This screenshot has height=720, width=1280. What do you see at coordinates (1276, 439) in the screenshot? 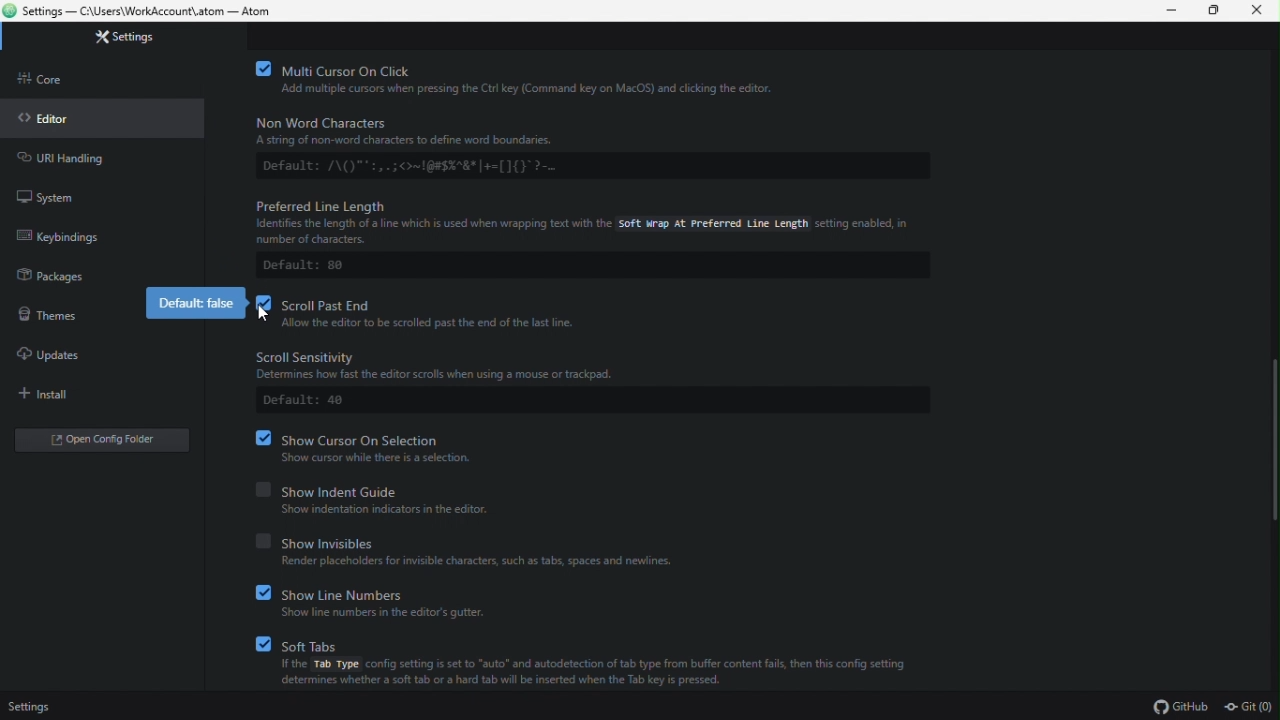
I see `scrollbar` at bounding box center [1276, 439].